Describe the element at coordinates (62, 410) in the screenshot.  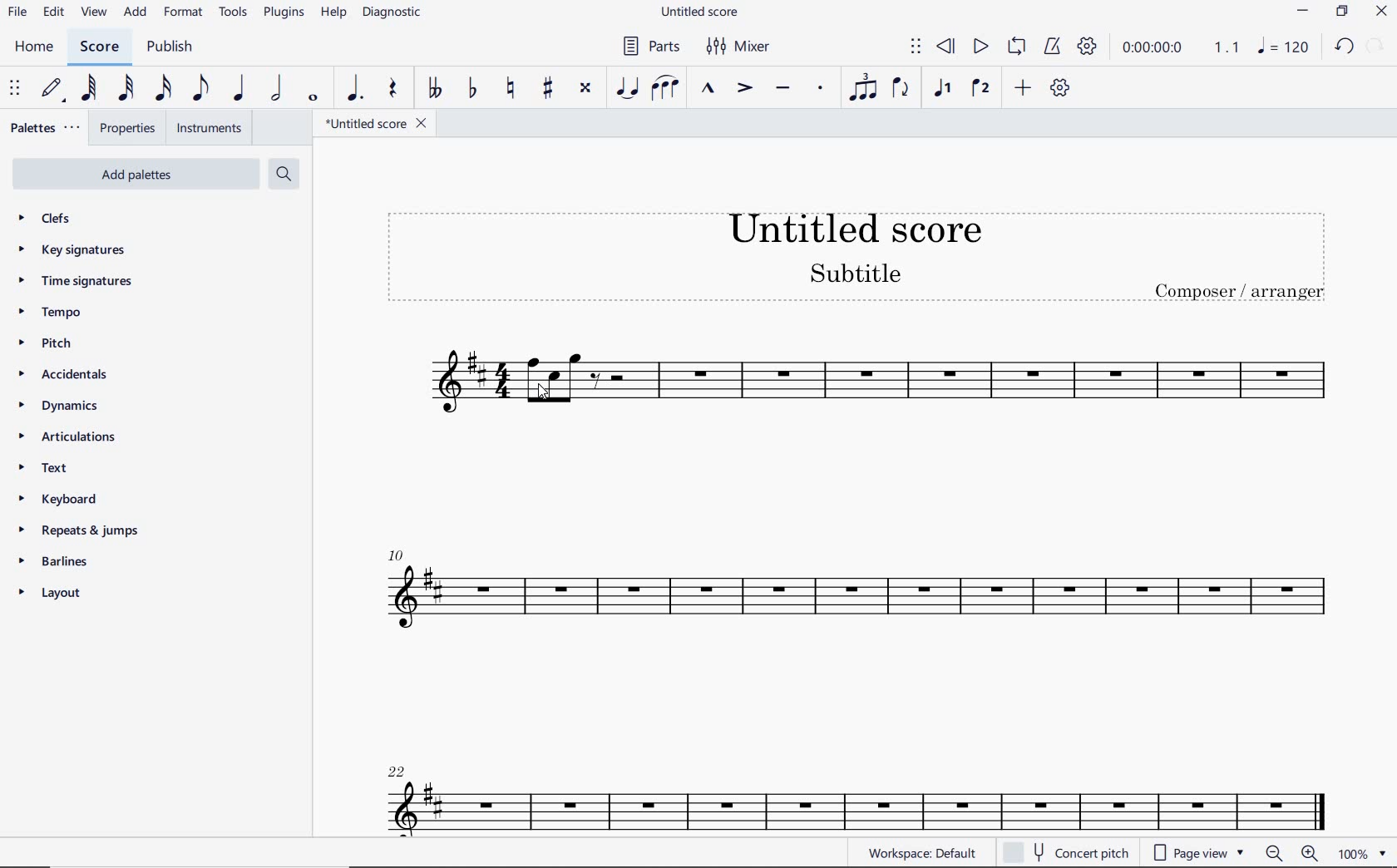
I see `DYNAMICS` at that location.